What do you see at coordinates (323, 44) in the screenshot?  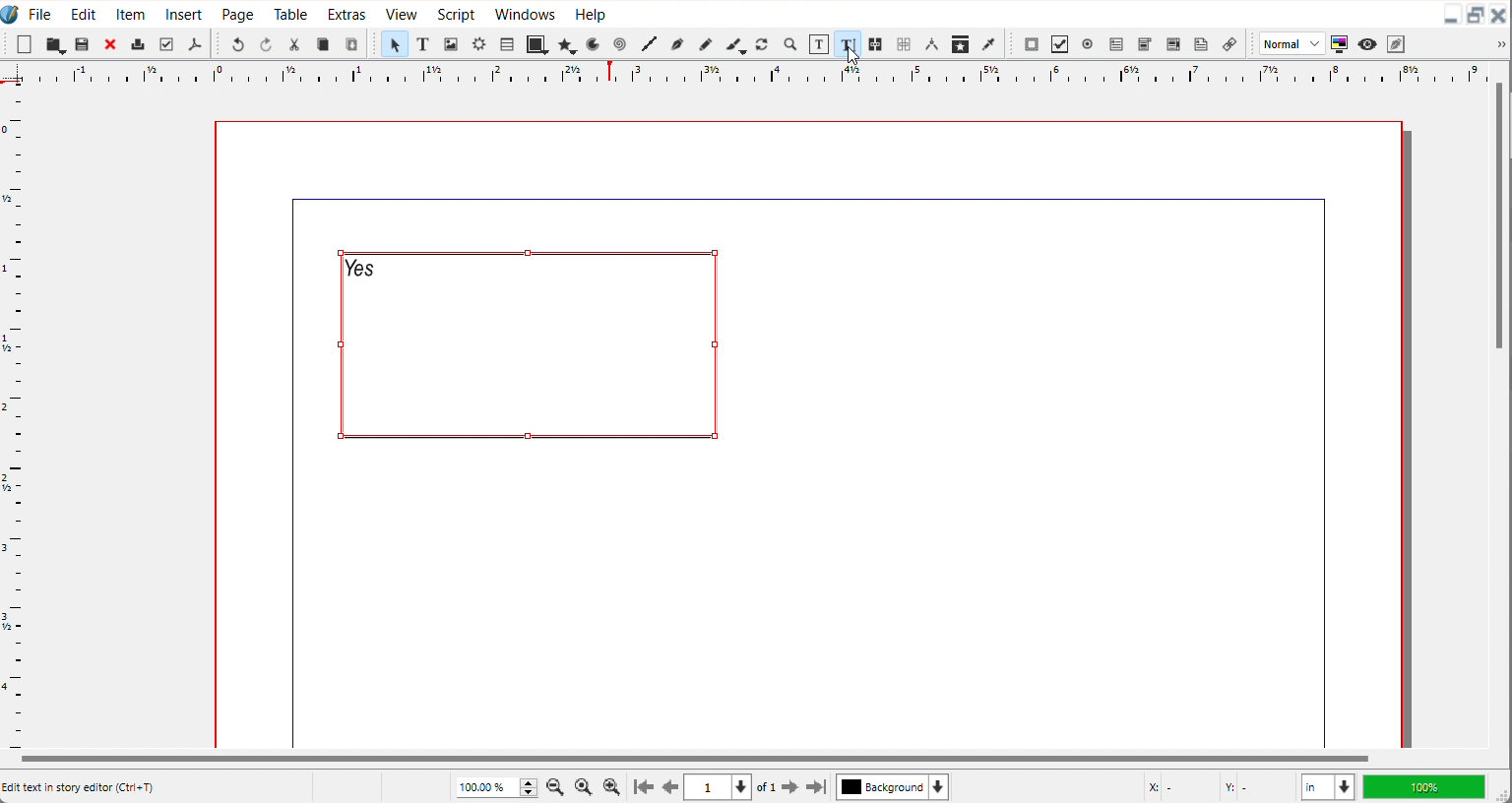 I see `Copy` at bounding box center [323, 44].